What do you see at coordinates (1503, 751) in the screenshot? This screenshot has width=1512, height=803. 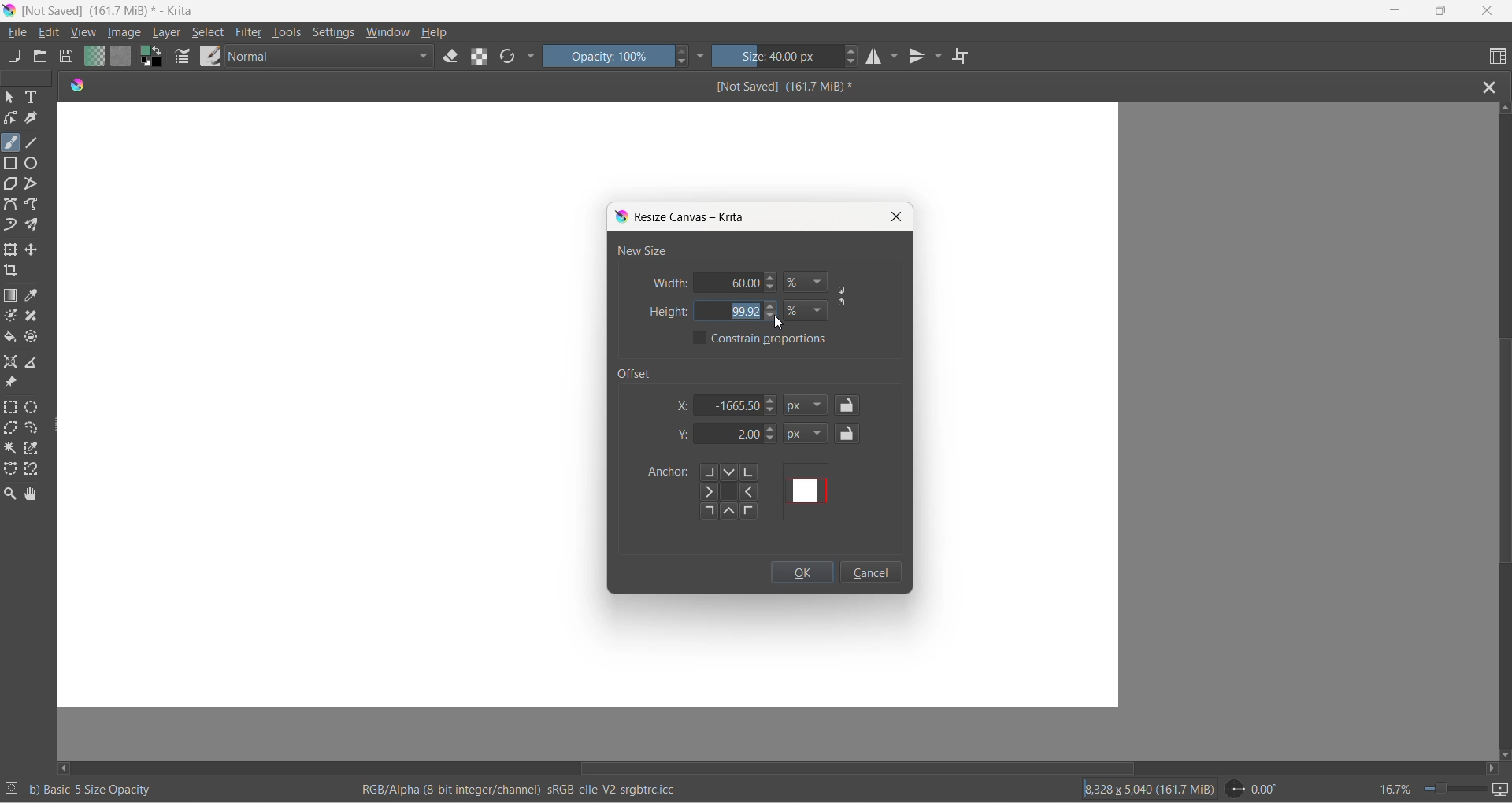 I see `scroll down button` at bounding box center [1503, 751].